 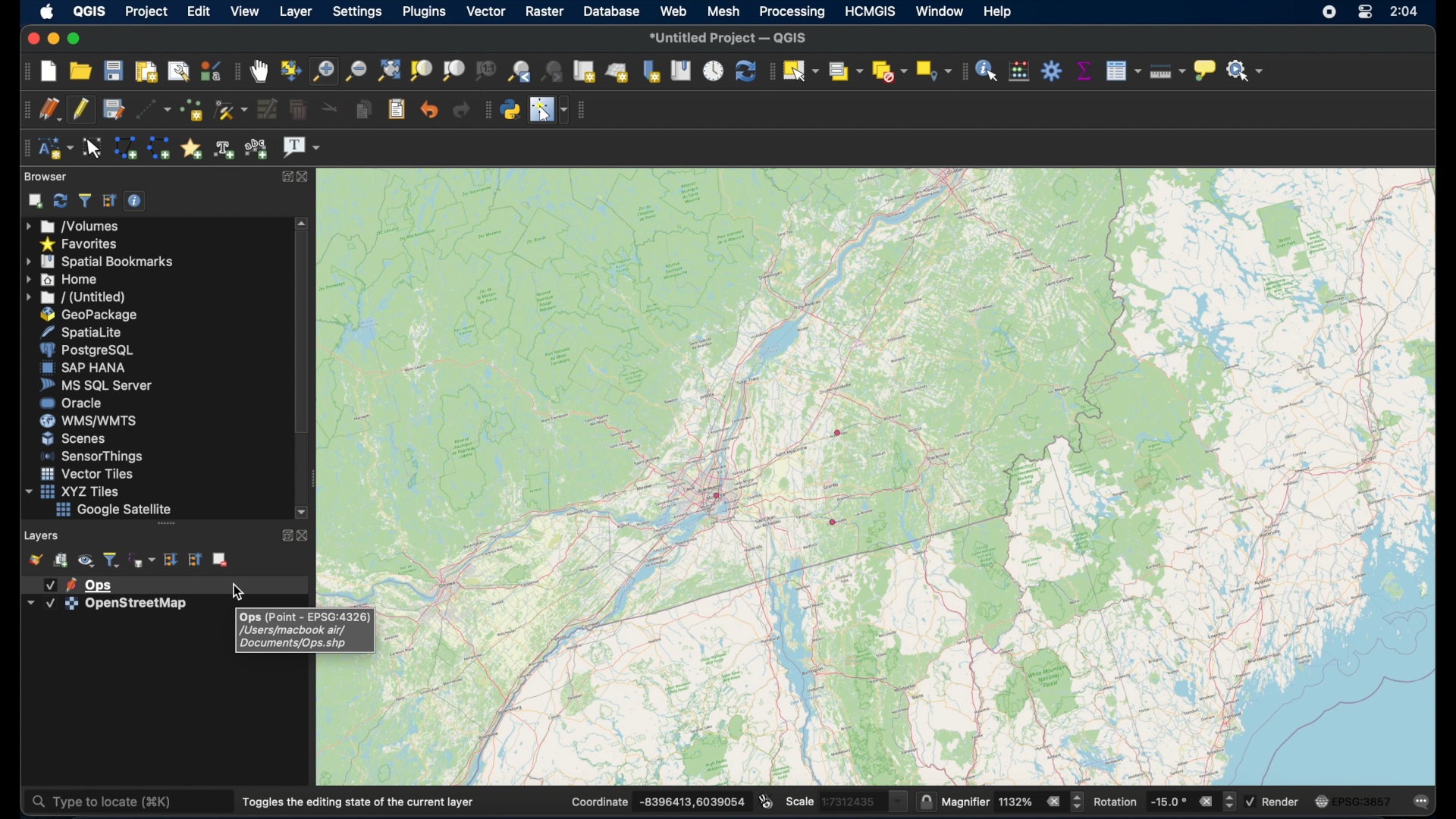 I want to click on filter legend, so click(x=111, y=559).